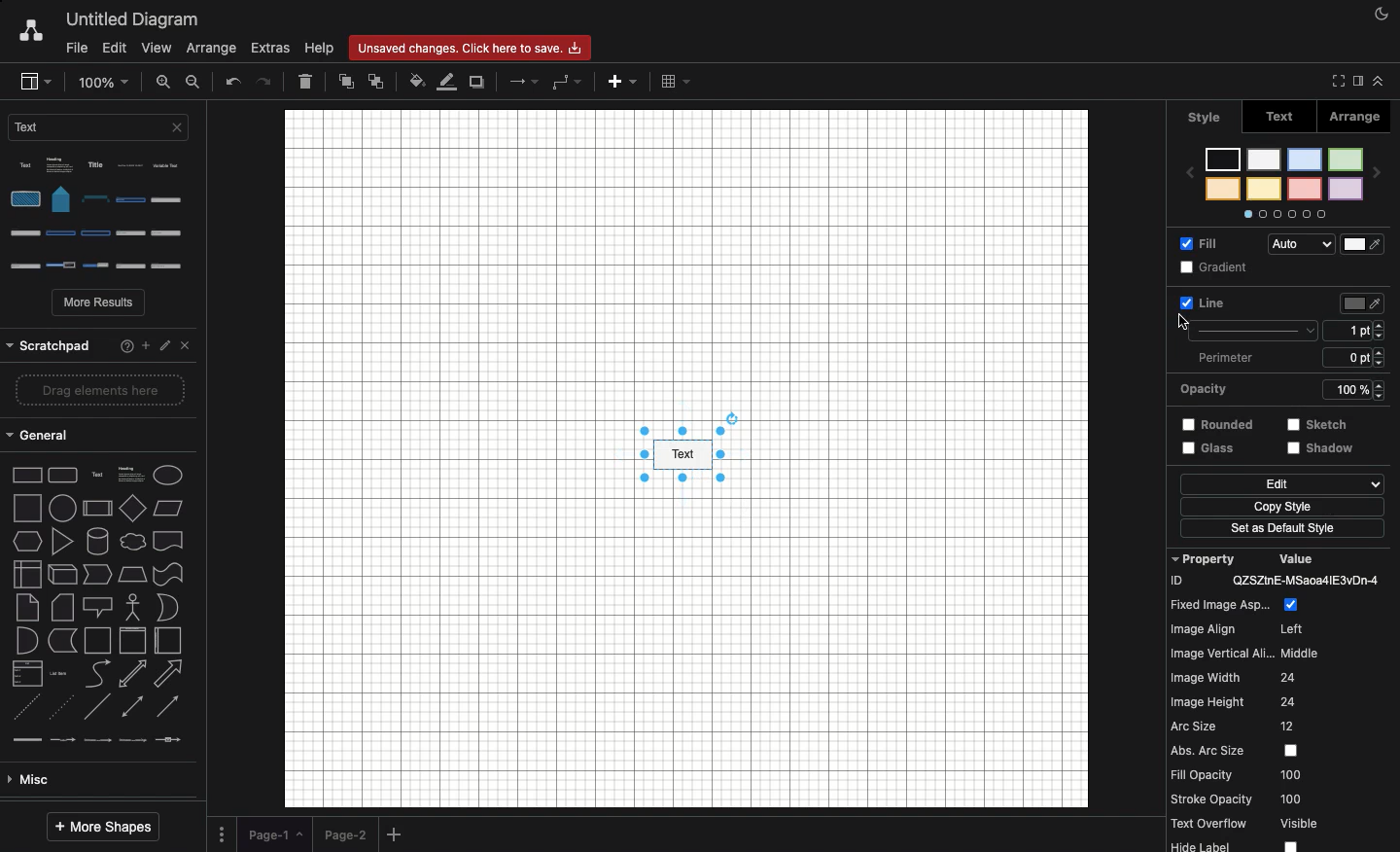 This screenshot has width=1400, height=852. Describe the element at coordinates (1298, 176) in the screenshot. I see `Styles` at that location.